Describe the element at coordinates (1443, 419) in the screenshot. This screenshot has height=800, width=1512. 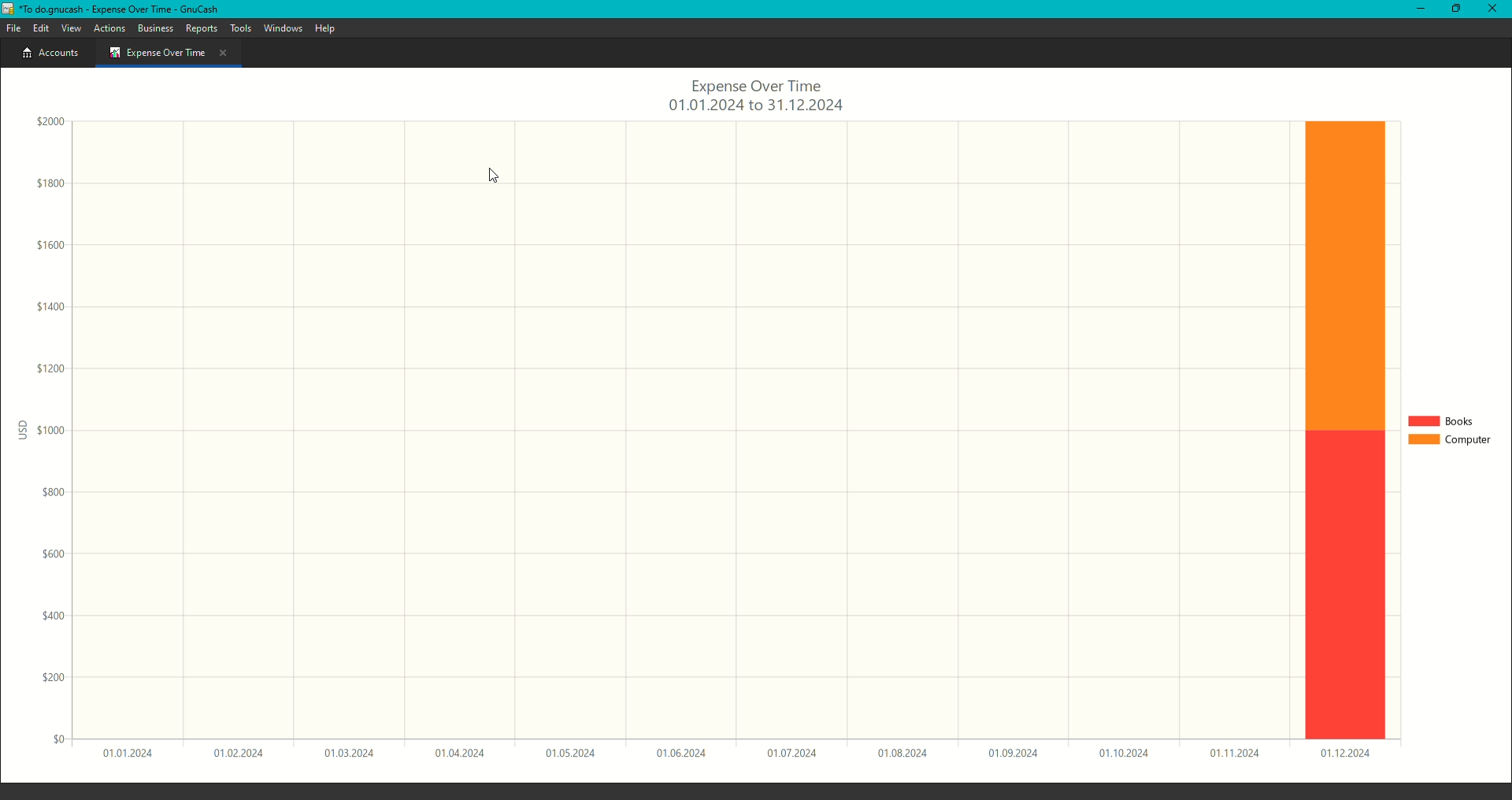
I see `Books` at that location.